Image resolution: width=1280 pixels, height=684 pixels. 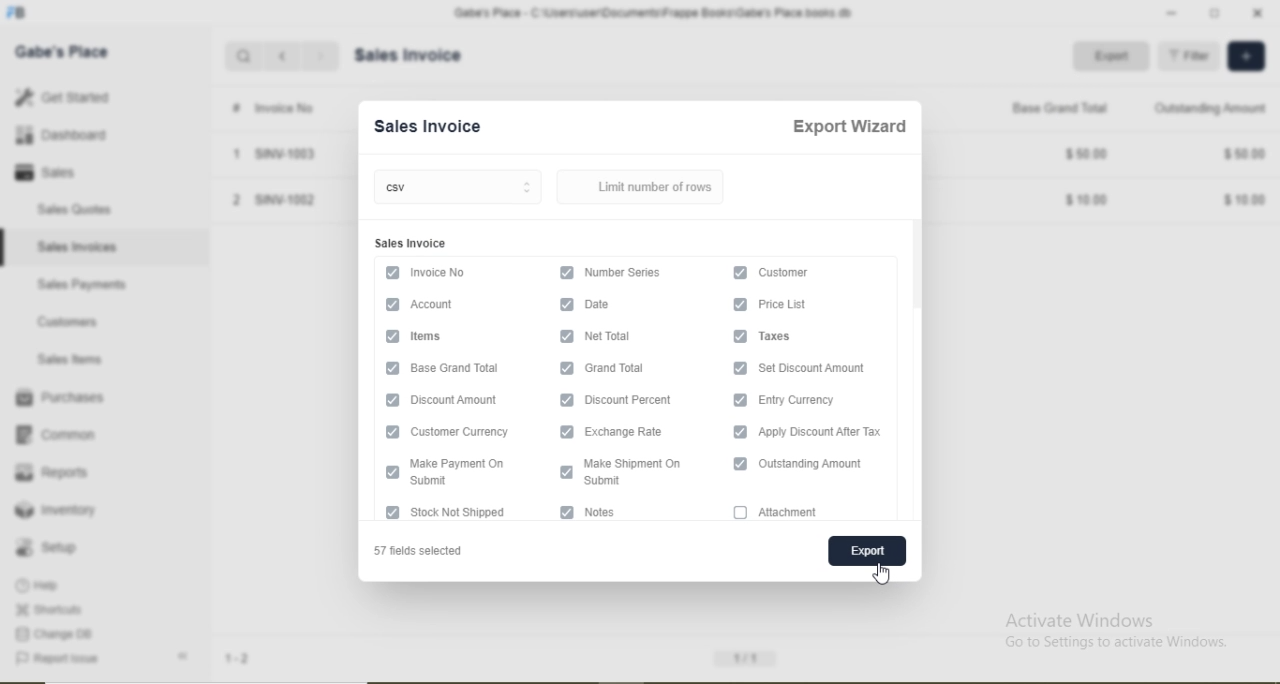 I want to click on Report Issue «, so click(x=106, y=659).